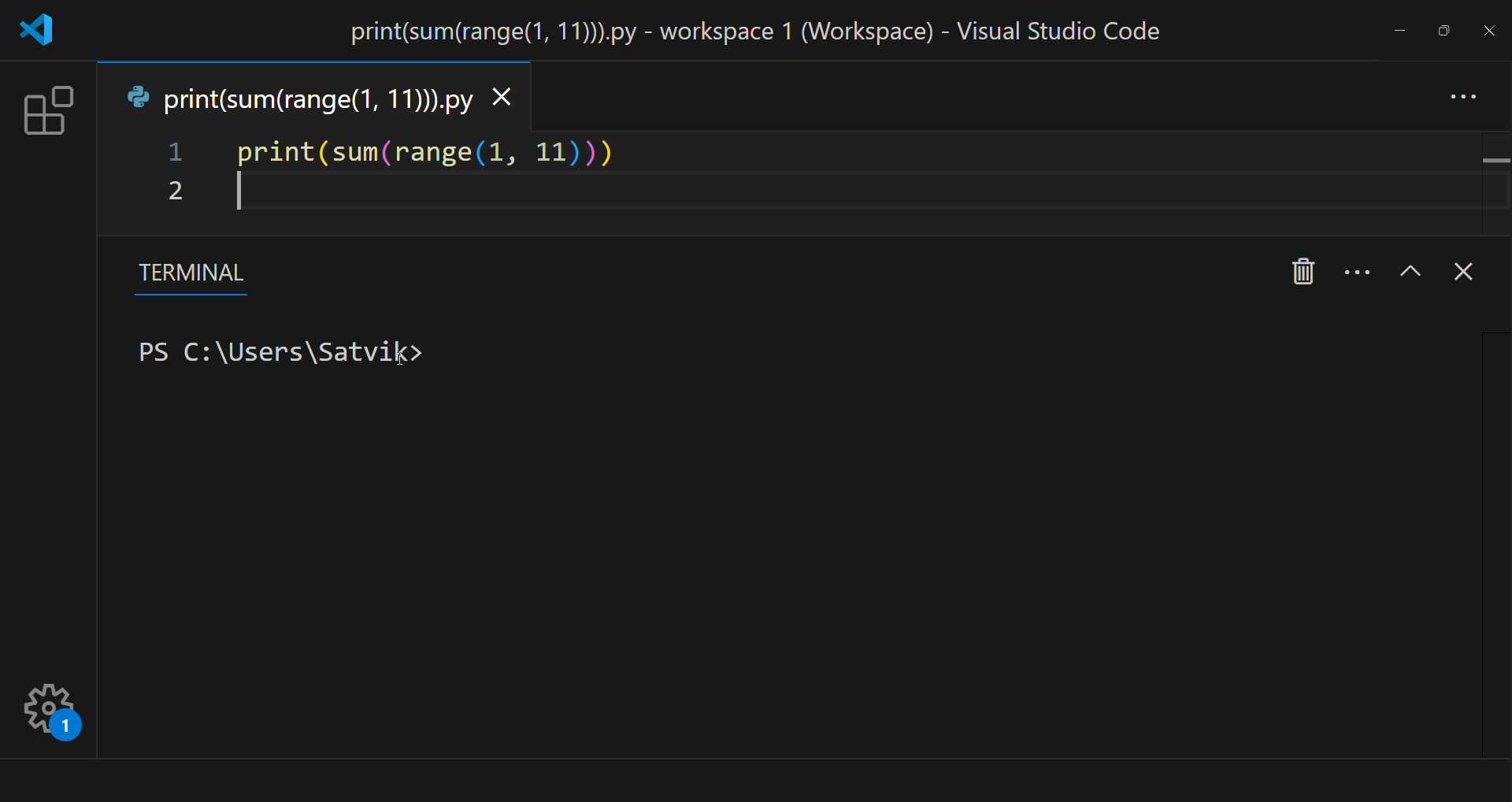 The height and width of the screenshot is (802, 1512). What do you see at coordinates (184, 278) in the screenshot?
I see `terminal` at bounding box center [184, 278].